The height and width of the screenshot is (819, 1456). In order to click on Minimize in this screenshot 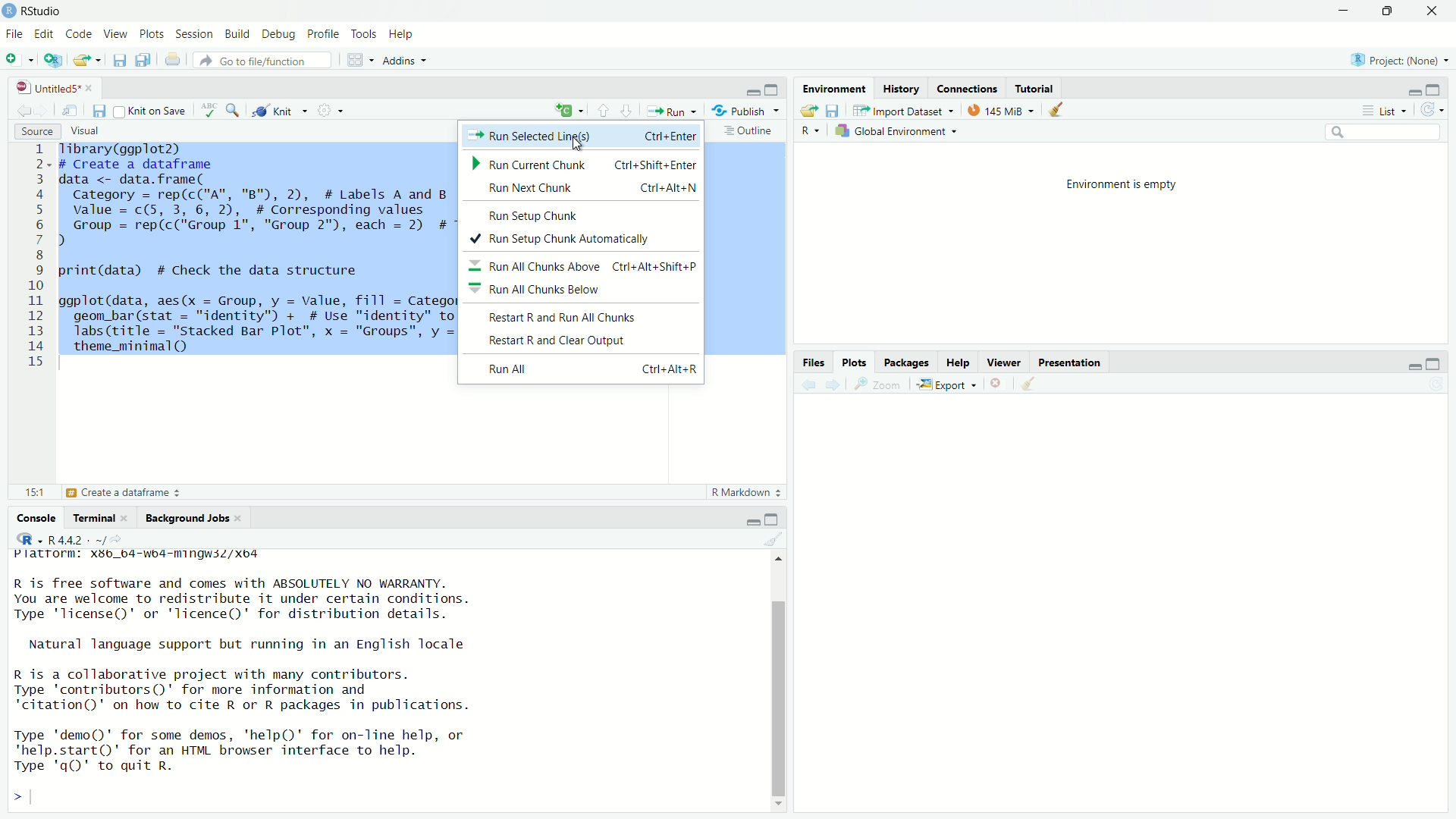, I will do `click(752, 91)`.